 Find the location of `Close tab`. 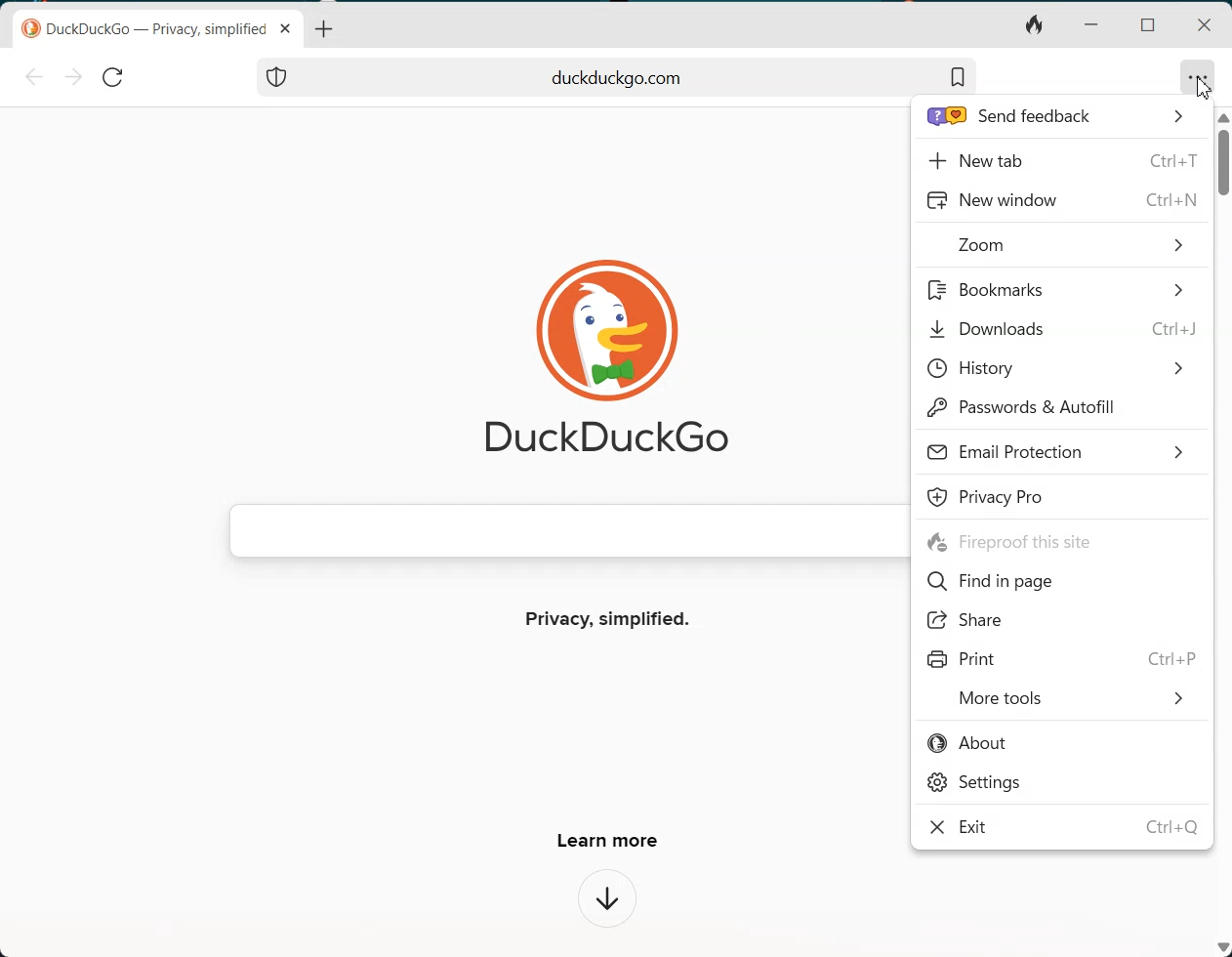

Close tab is located at coordinates (286, 28).